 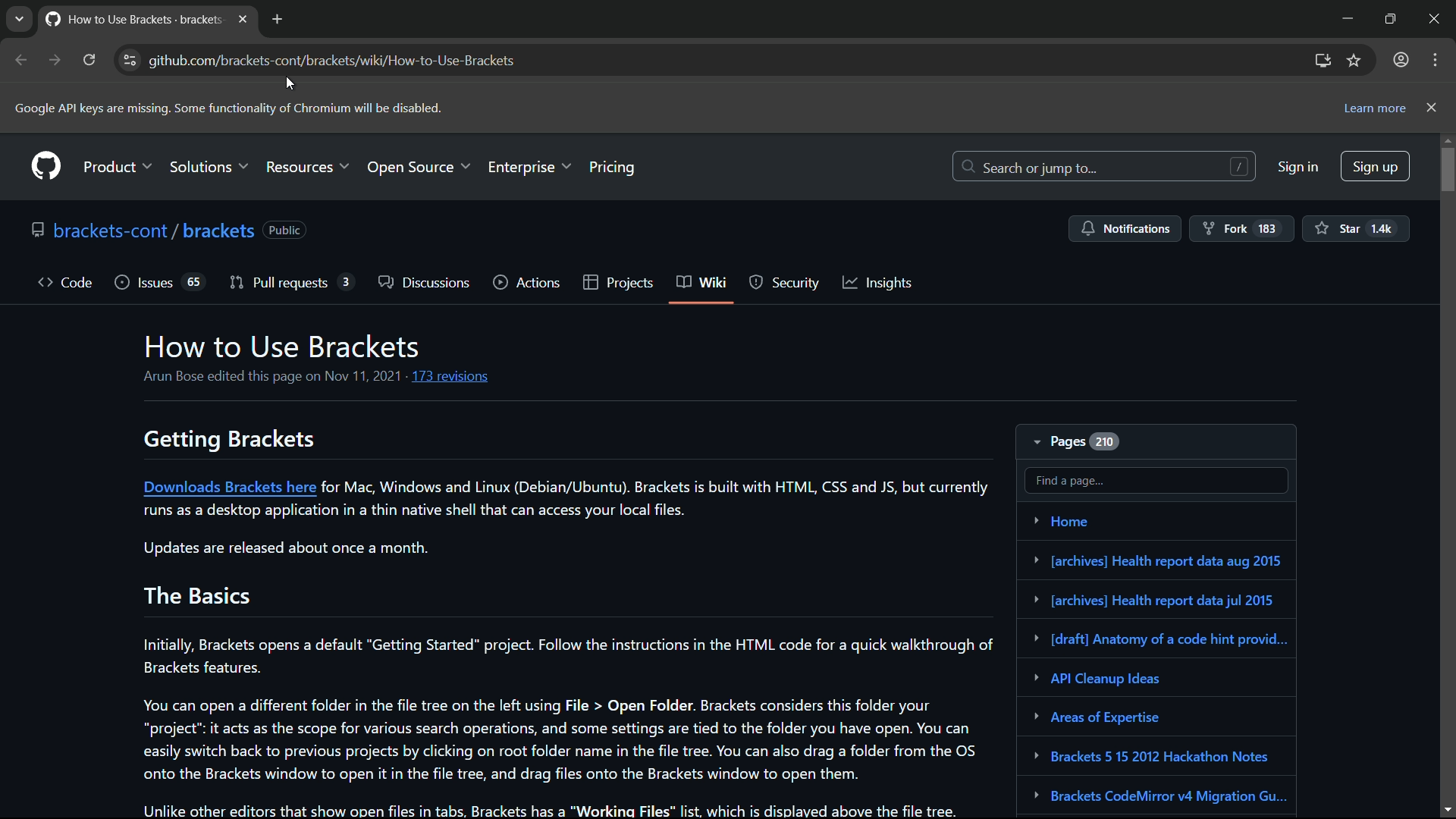 What do you see at coordinates (784, 283) in the screenshot?
I see `security` at bounding box center [784, 283].